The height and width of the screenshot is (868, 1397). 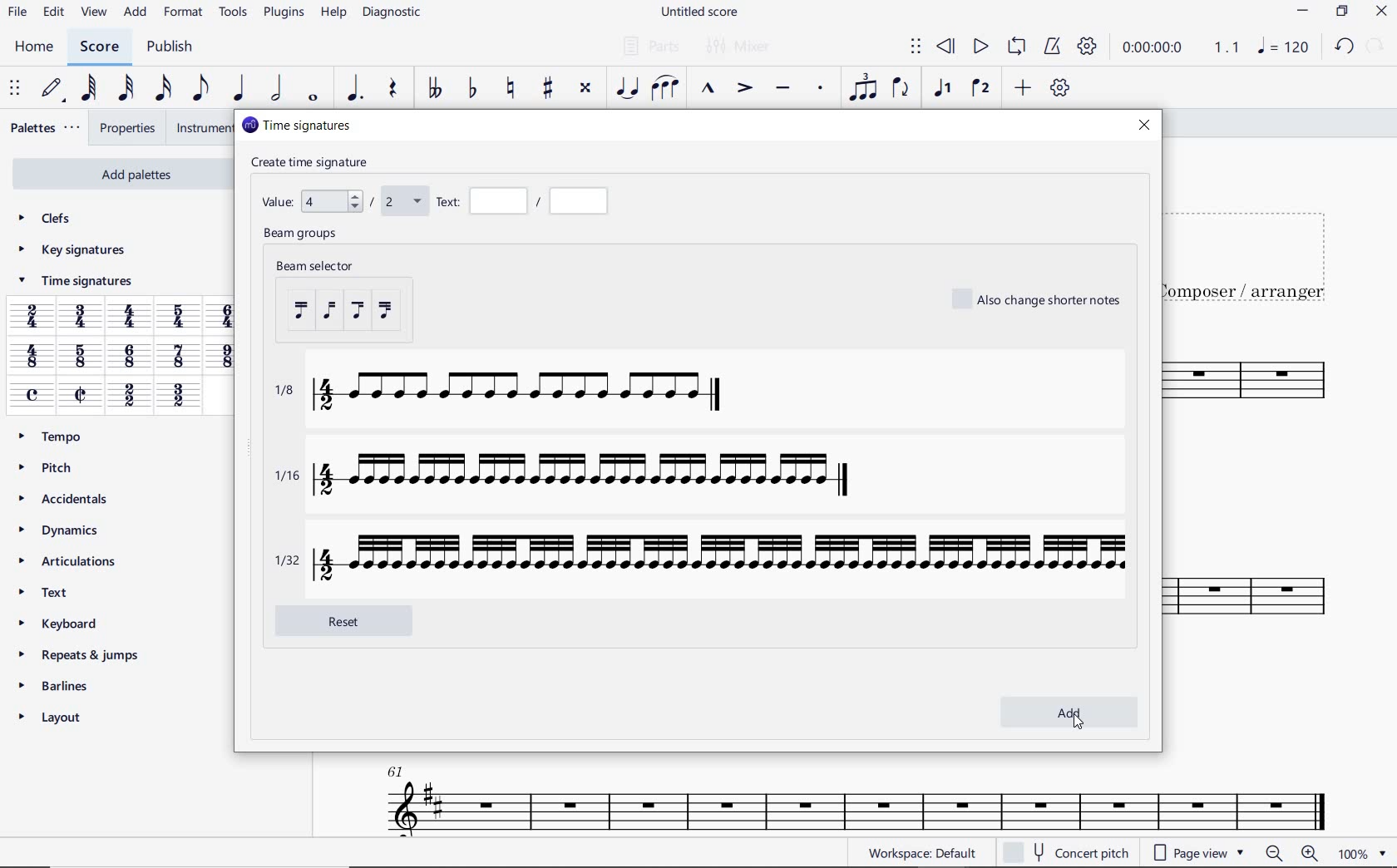 I want to click on 2/2, so click(x=128, y=397).